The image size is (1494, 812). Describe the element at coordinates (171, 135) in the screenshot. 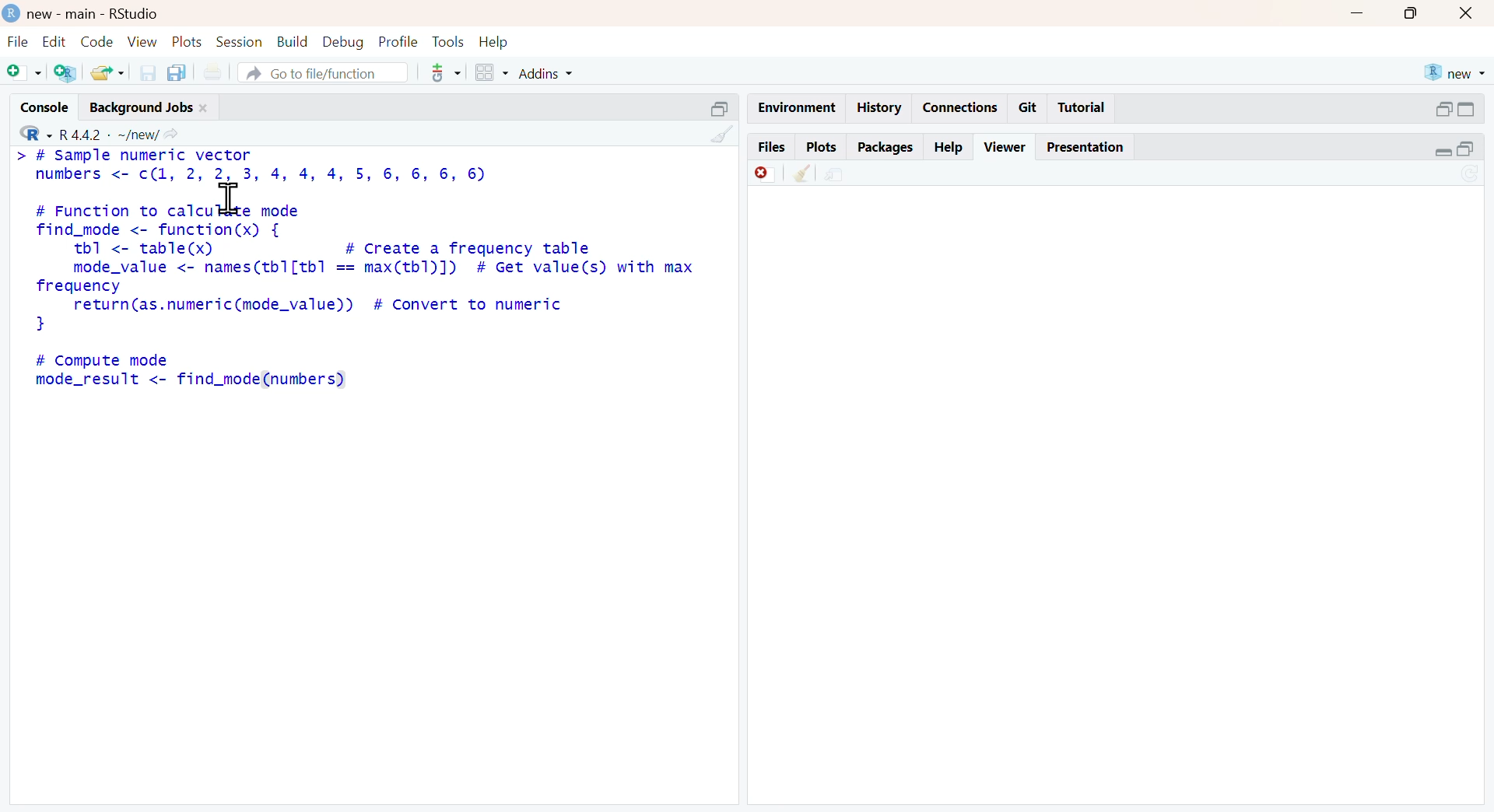

I see `share icon` at that location.